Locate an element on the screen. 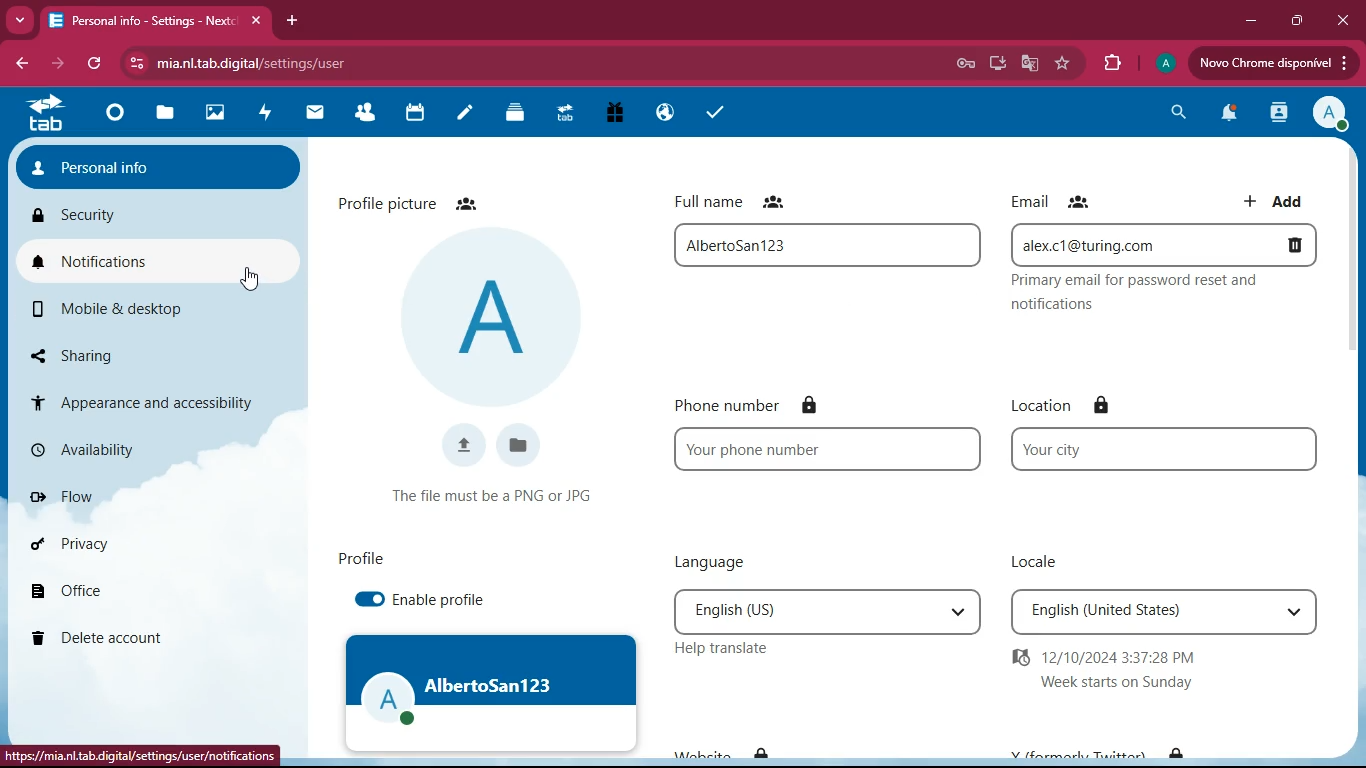  close is located at coordinates (1342, 20).